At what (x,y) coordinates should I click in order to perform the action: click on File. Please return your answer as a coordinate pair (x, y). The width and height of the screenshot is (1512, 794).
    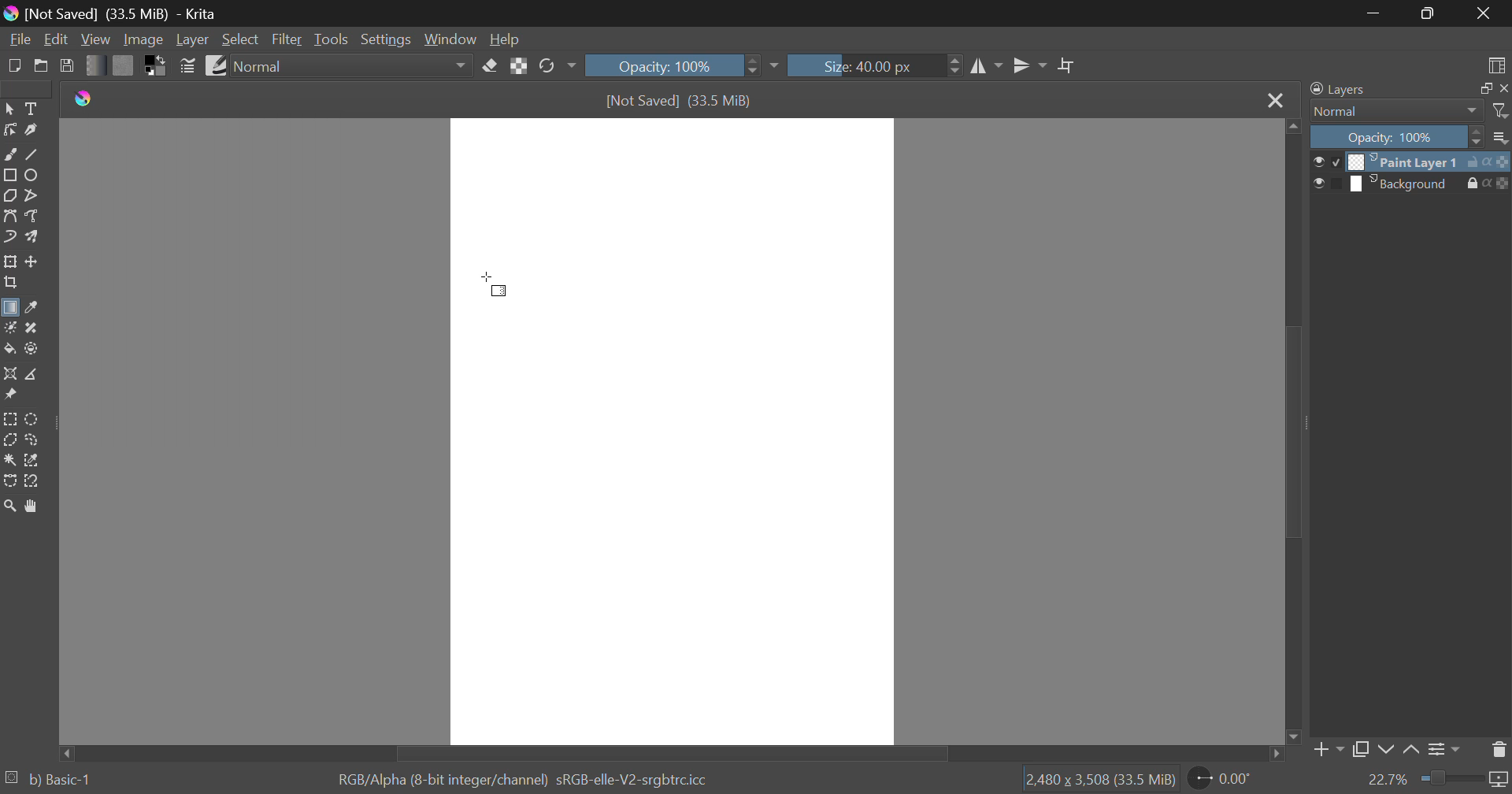
    Looking at the image, I should click on (18, 38).